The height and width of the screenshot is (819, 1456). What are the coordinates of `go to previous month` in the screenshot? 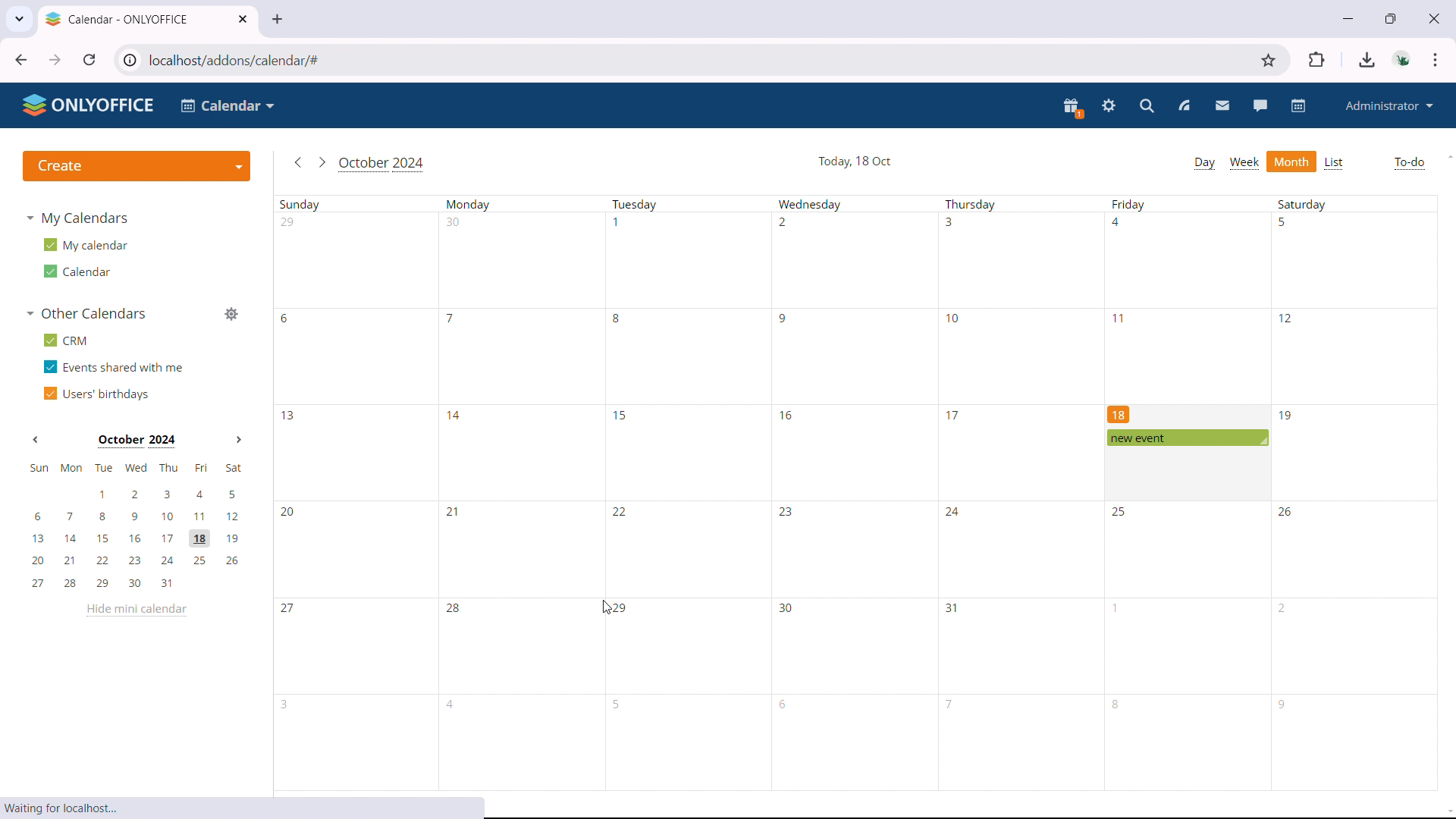 It's located at (297, 163).